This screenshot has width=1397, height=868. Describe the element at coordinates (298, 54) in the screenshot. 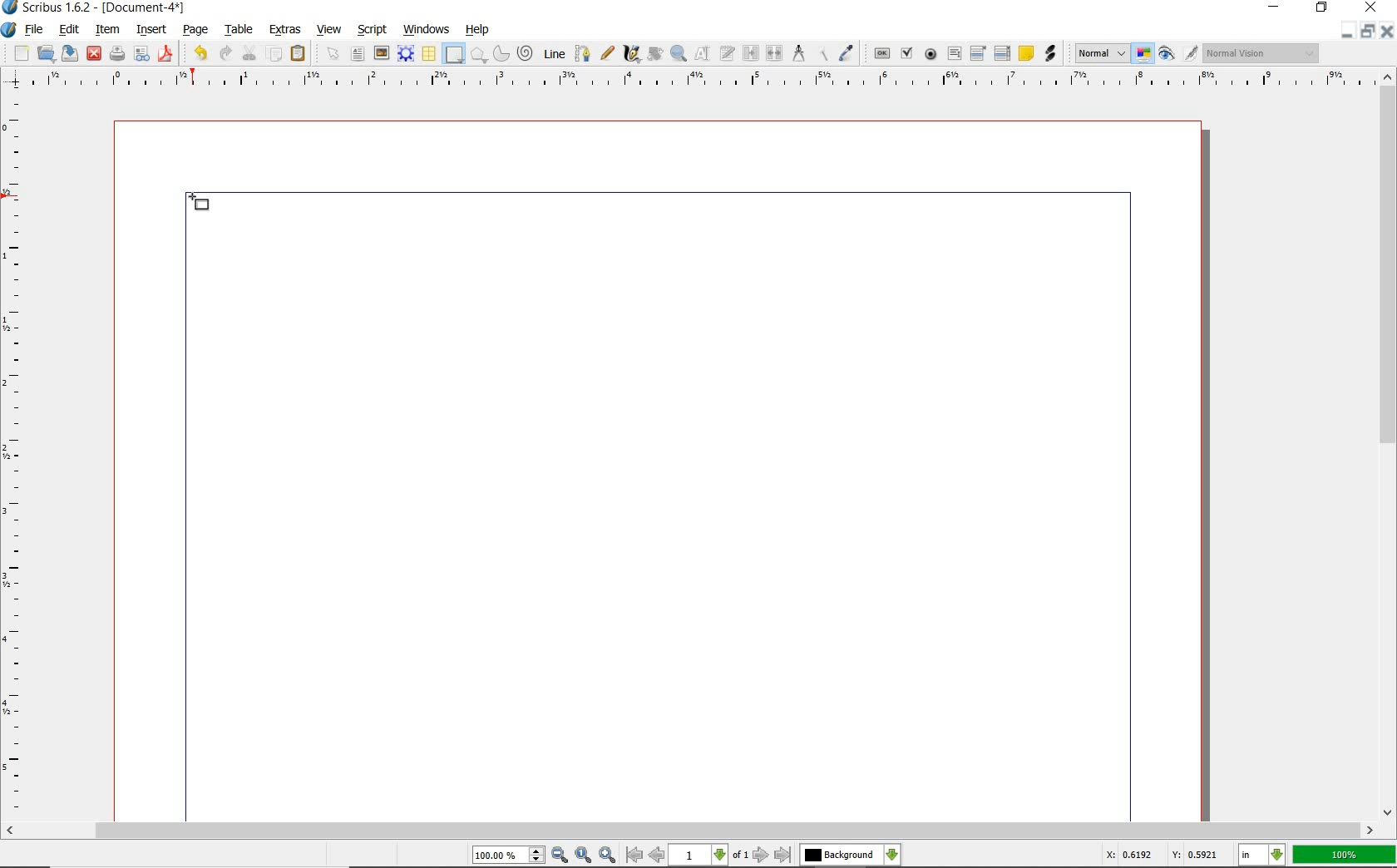

I see `paste` at that location.